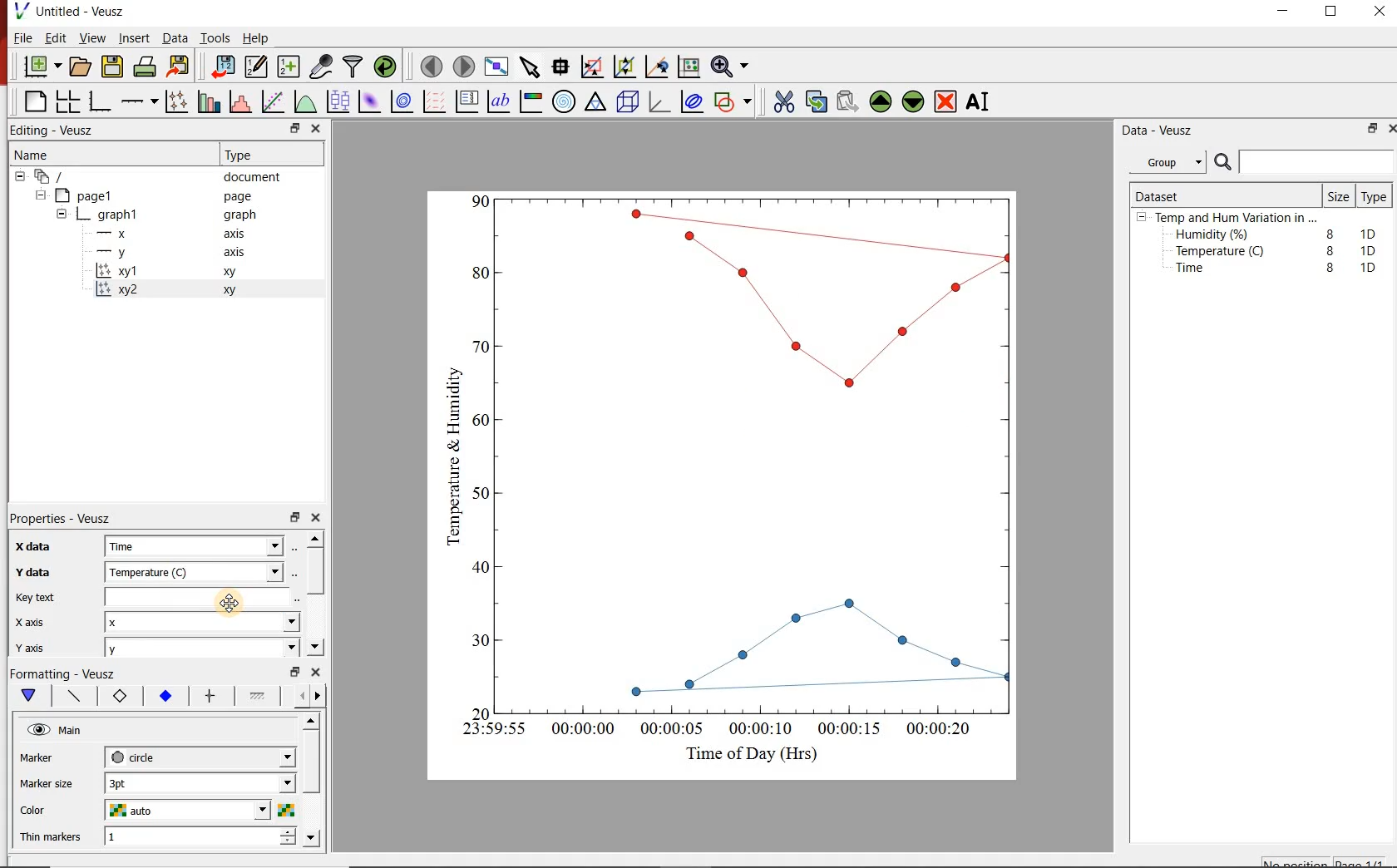  Describe the element at coordinates (239, 235) in the screenshot. I see `axis` at that location.